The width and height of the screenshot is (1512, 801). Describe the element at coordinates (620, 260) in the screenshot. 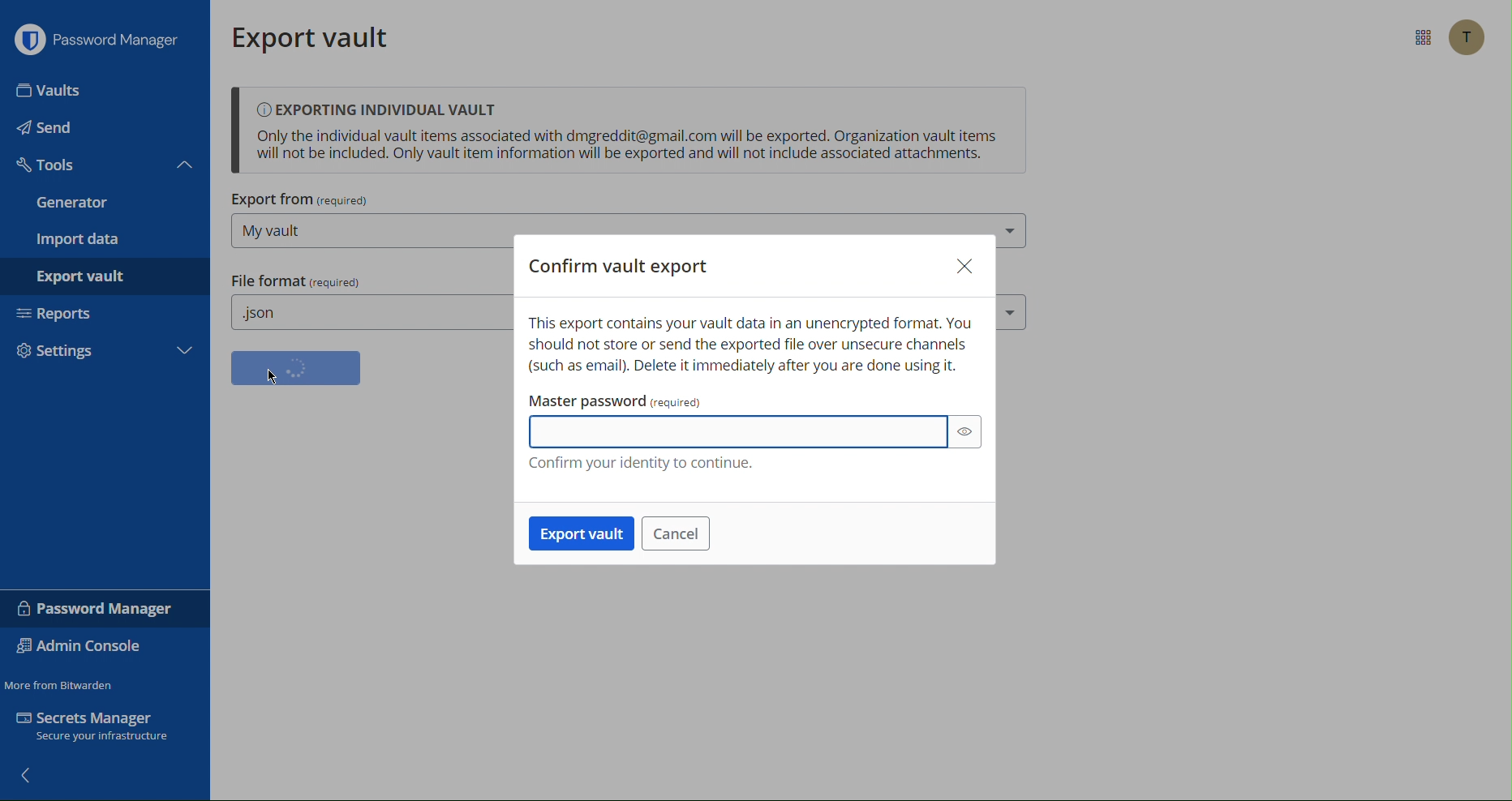

I see `Confirm vault export` at that location.